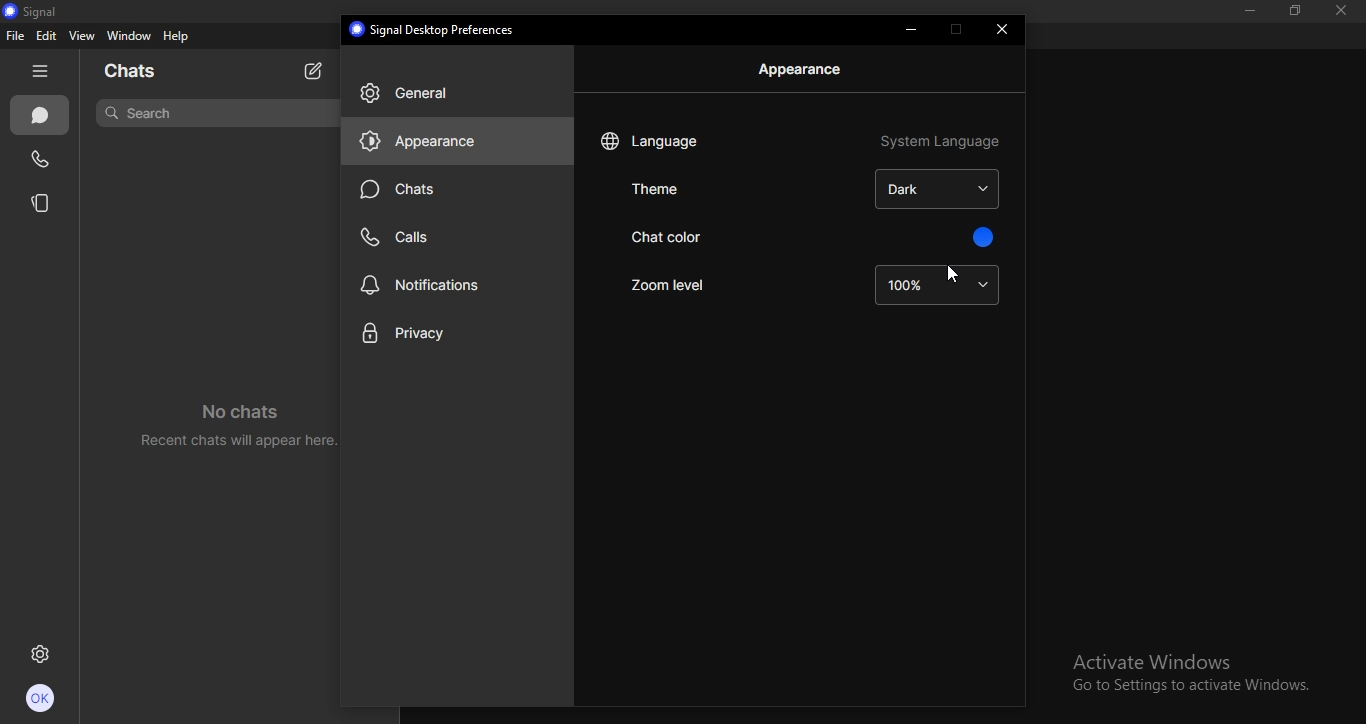 Image resolution: width=1366 pixels, height=724 pixels. Describe the element at coordinates (177, 37) in the screenshot. I see `help` at that location.